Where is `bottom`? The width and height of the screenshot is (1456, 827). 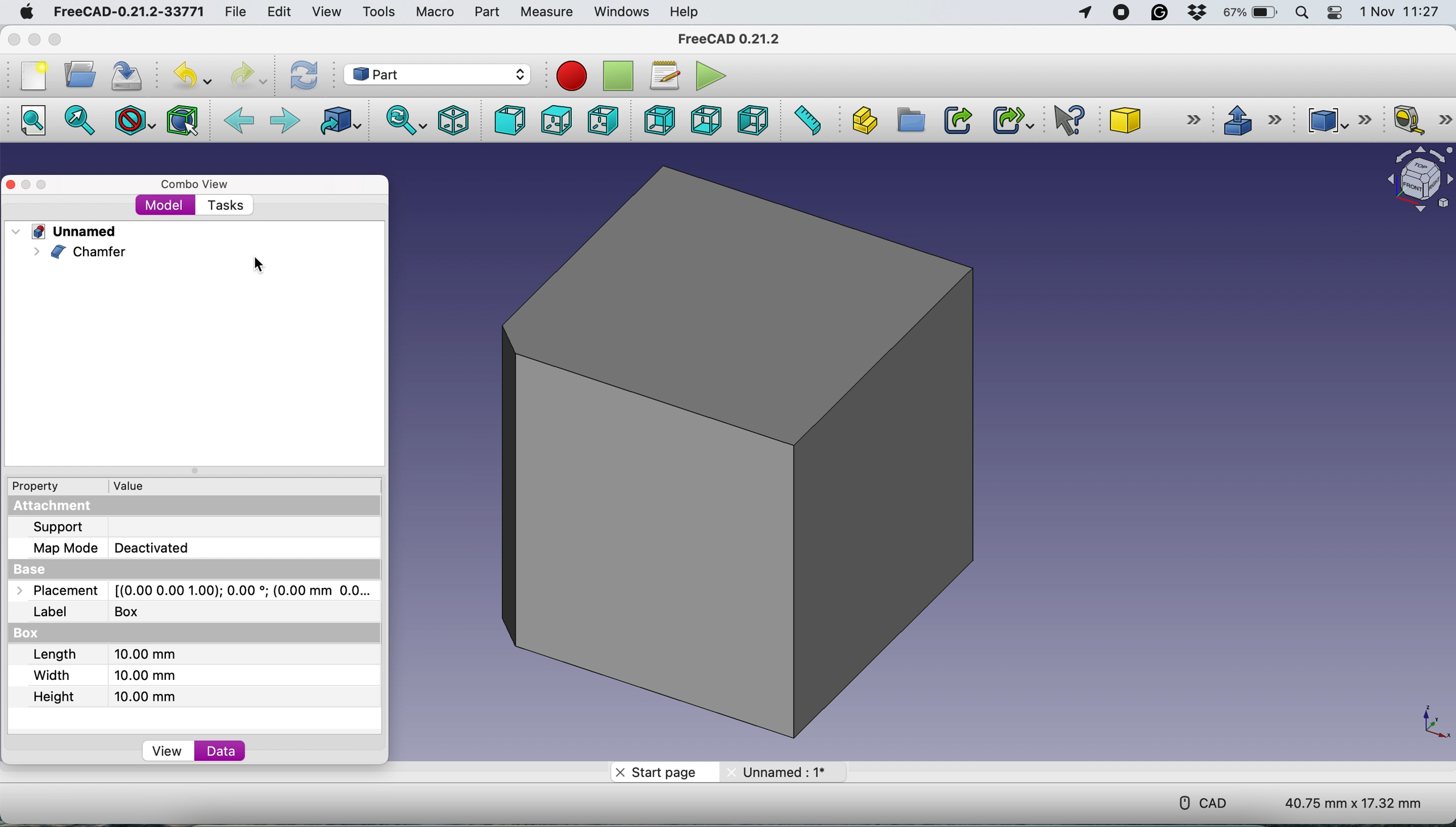 bottom is located at coordinates (708, 118).